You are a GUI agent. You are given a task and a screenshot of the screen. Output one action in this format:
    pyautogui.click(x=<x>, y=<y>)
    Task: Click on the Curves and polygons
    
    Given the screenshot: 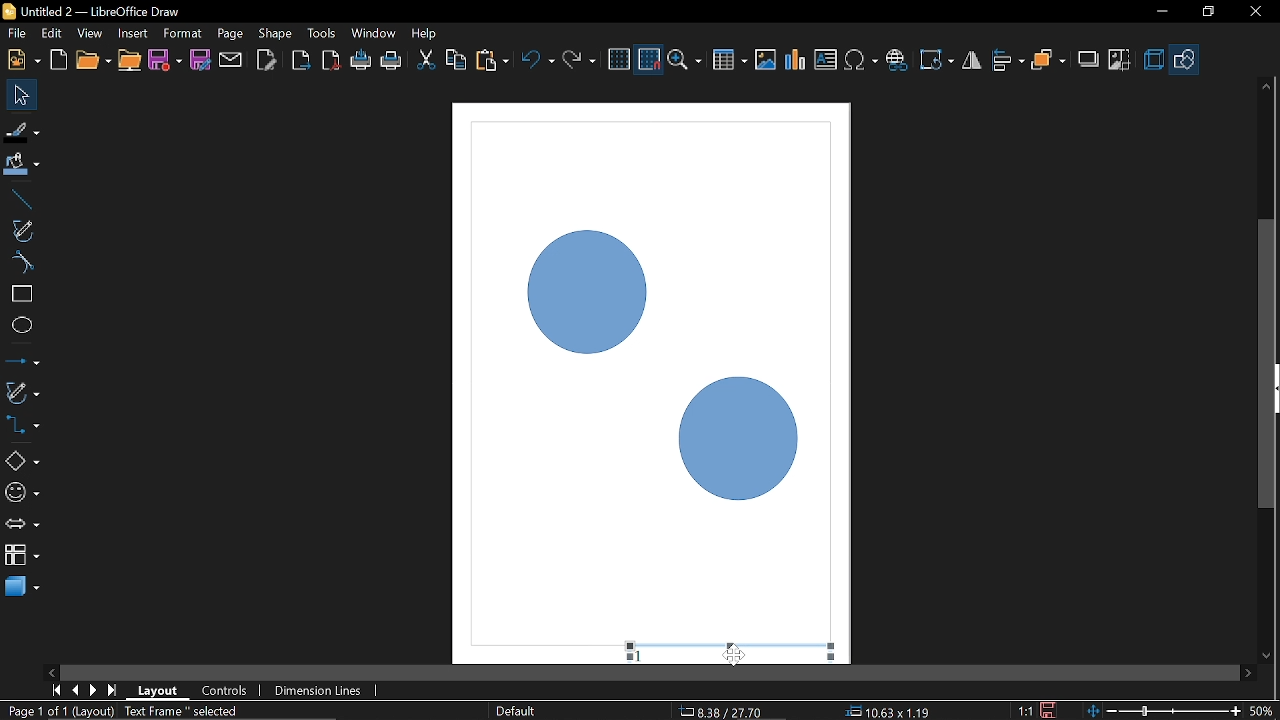 What is the action you would take?
    pyautogui.click(x=21, y=392)
    